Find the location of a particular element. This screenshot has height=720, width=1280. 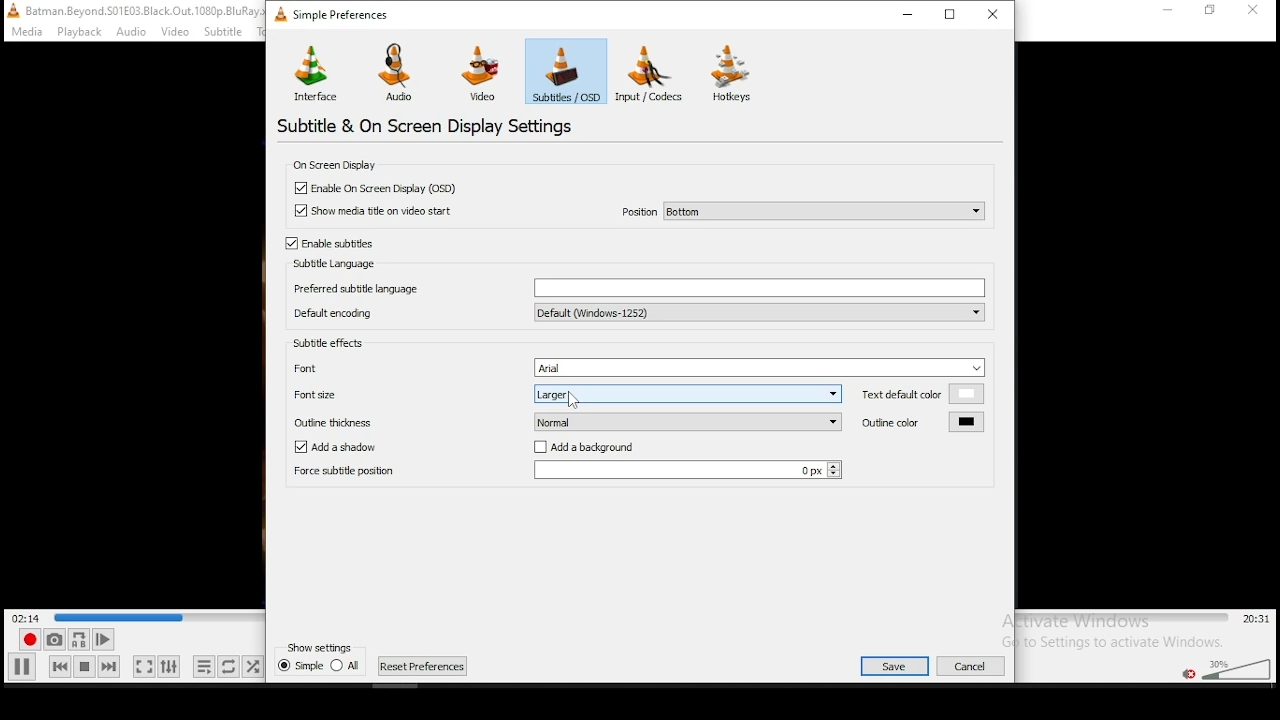

record is located at coordinates (27, 640).